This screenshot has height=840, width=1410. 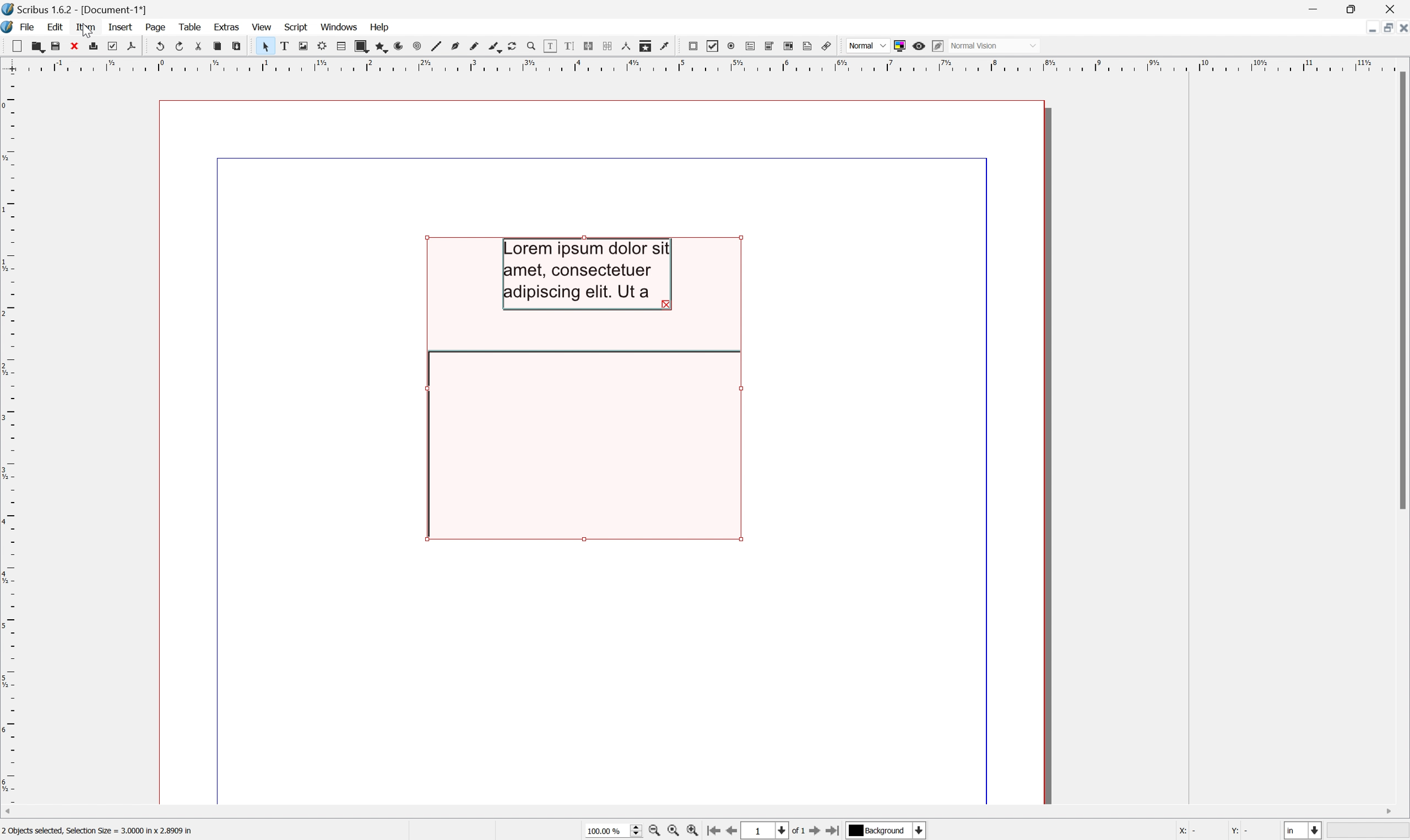 What do you see at coordinates (283, 48) in the screenshot?
I see `Text frame` at bounding box center [283, 48].